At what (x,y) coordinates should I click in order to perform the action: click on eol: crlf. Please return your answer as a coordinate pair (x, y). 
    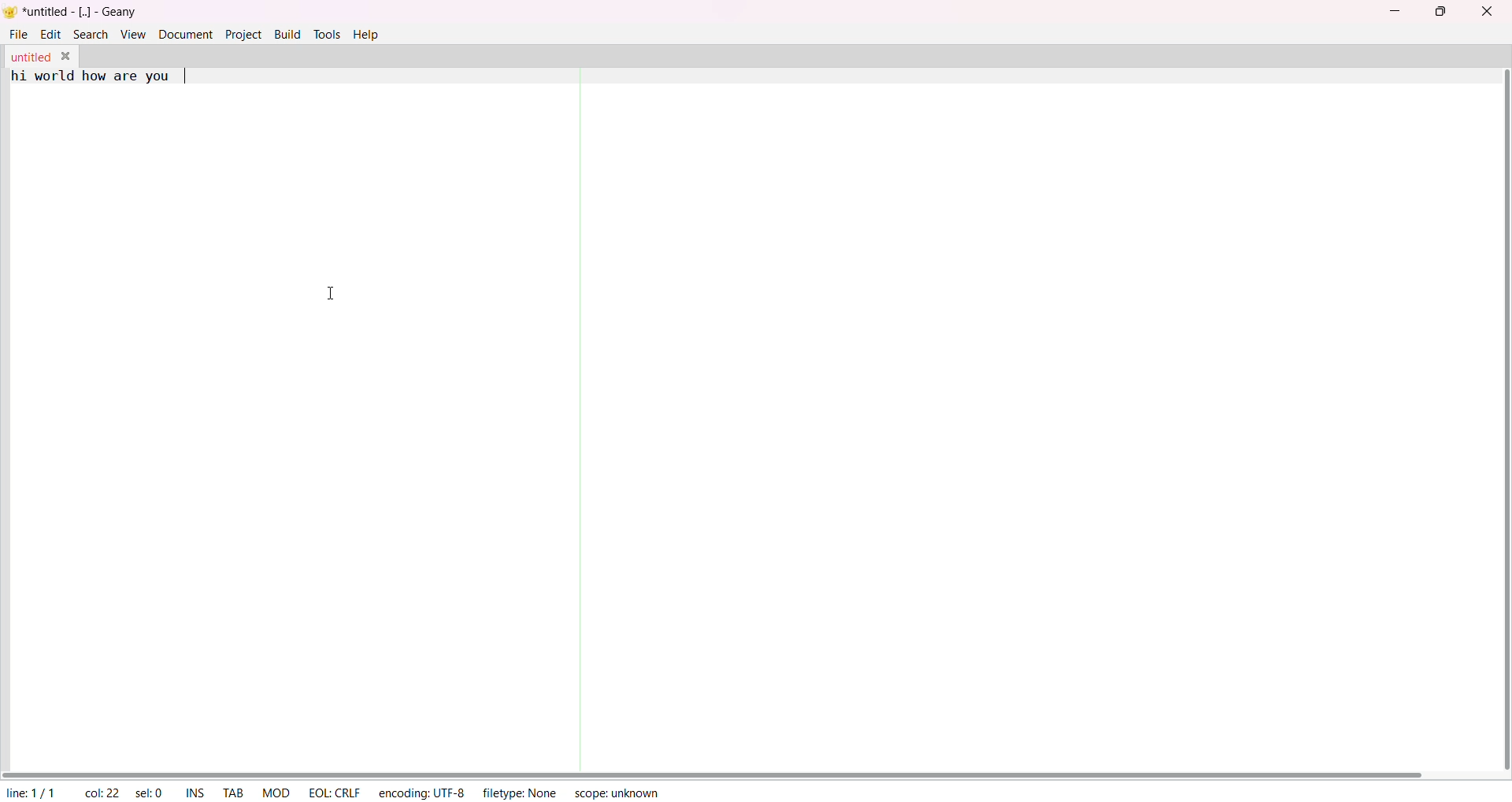
    Looking at the image, I should click on (333, 790).